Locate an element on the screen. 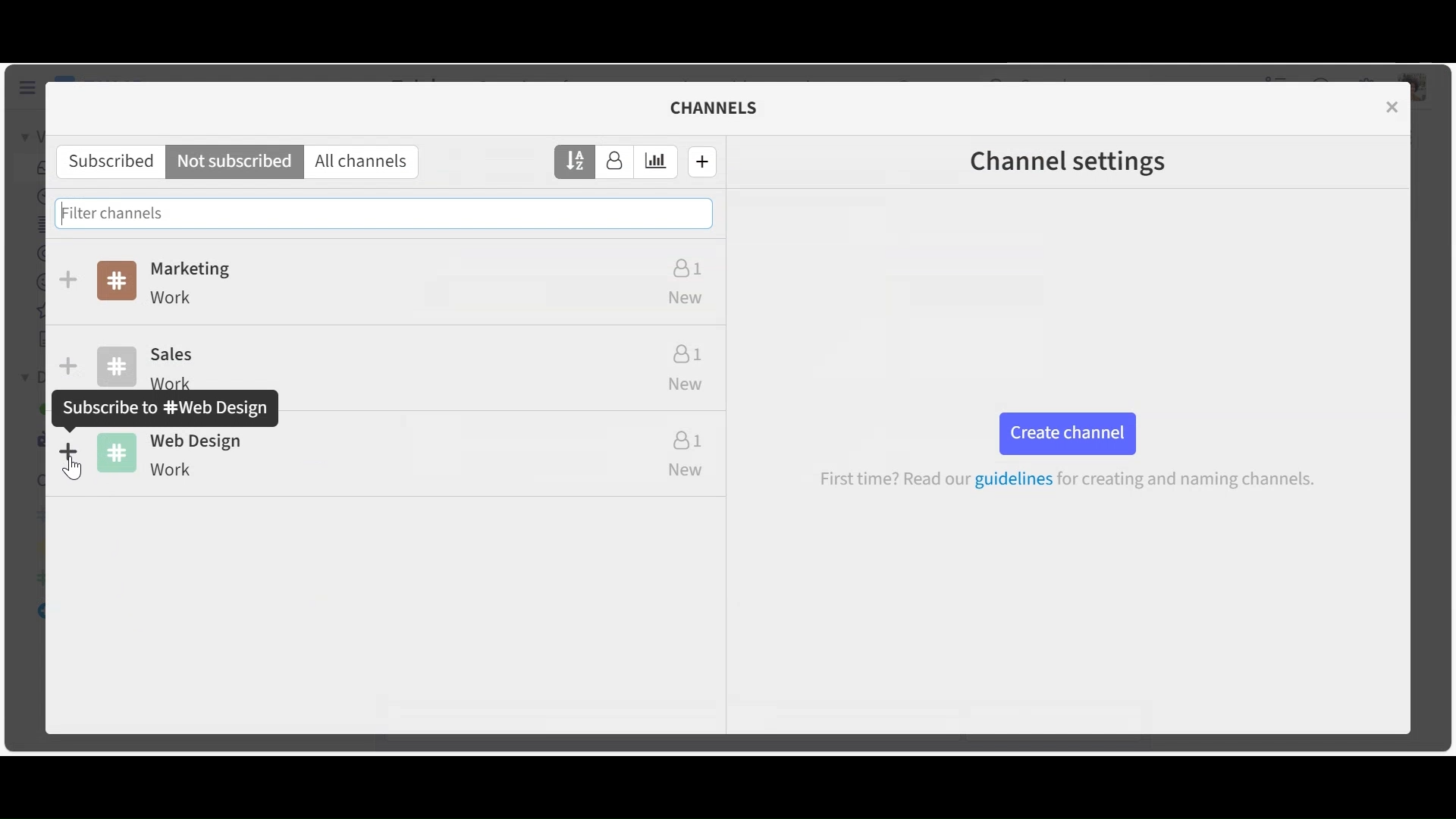 The image size is (1456, 819). guidelines for creating and naming channels is located at coordinates (1071, 479).